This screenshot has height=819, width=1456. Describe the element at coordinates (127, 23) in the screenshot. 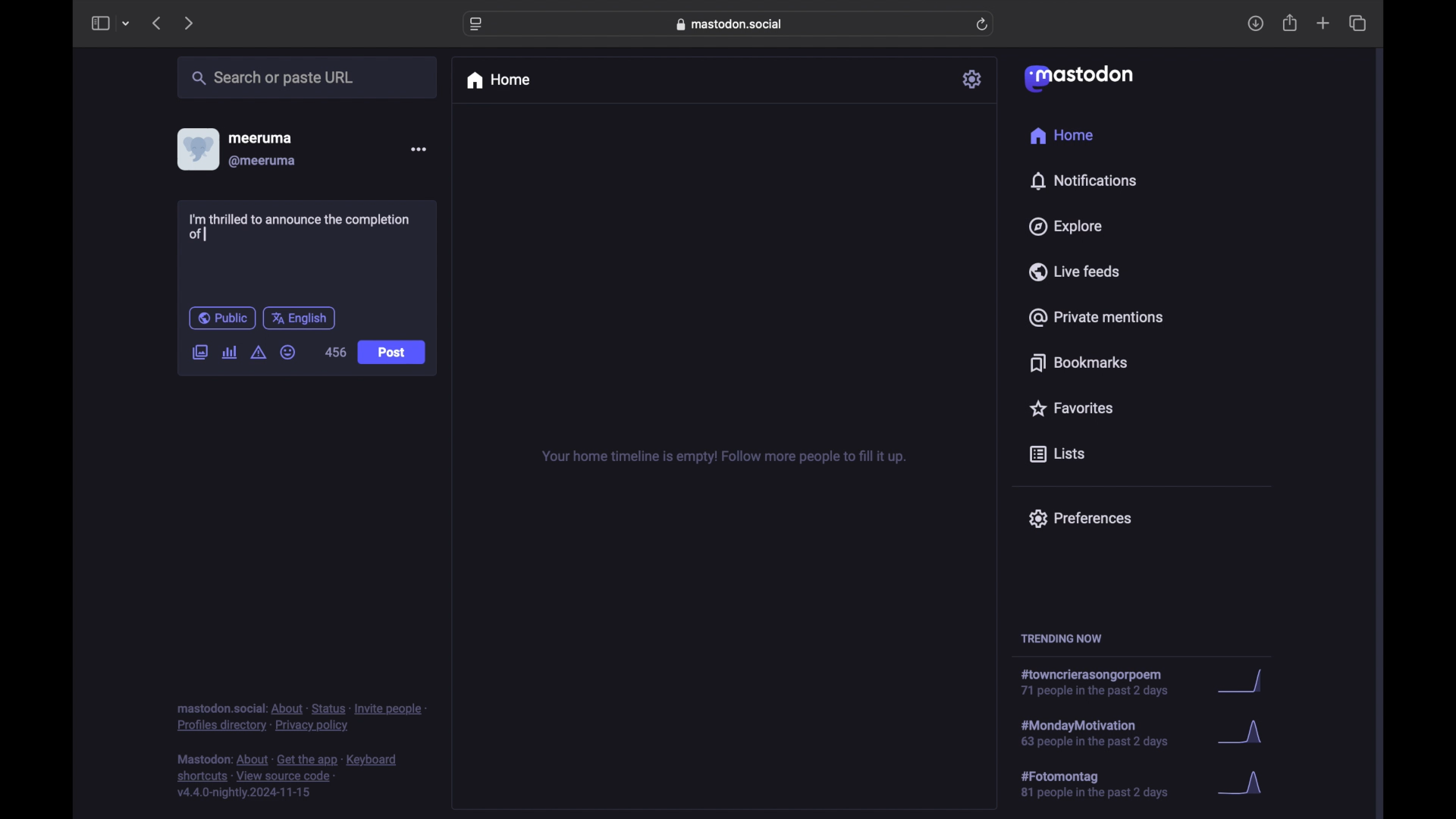

I see `tab group picker` at that location.